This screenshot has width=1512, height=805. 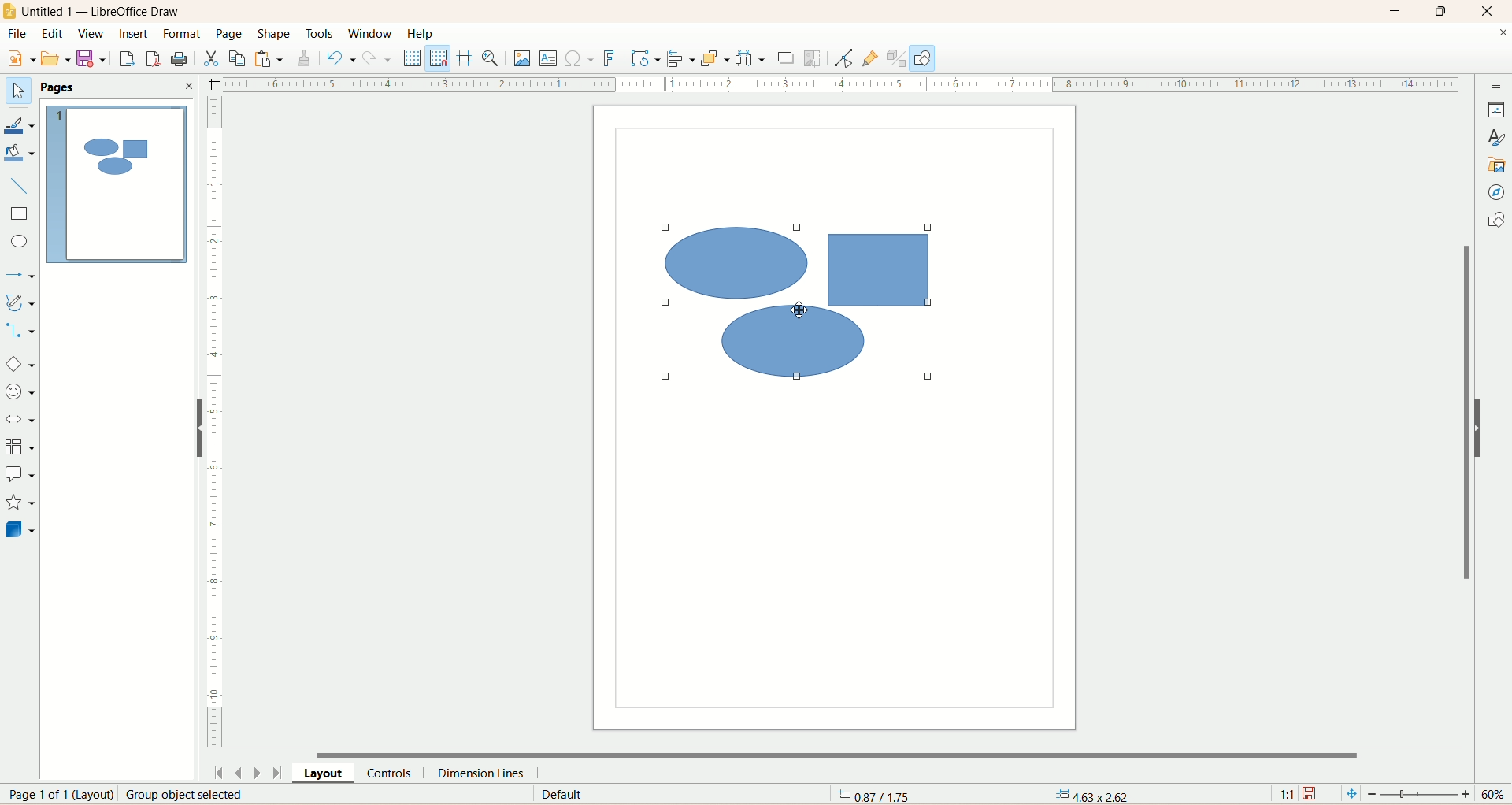 I want to click on controls, so click(x=390, y=773).